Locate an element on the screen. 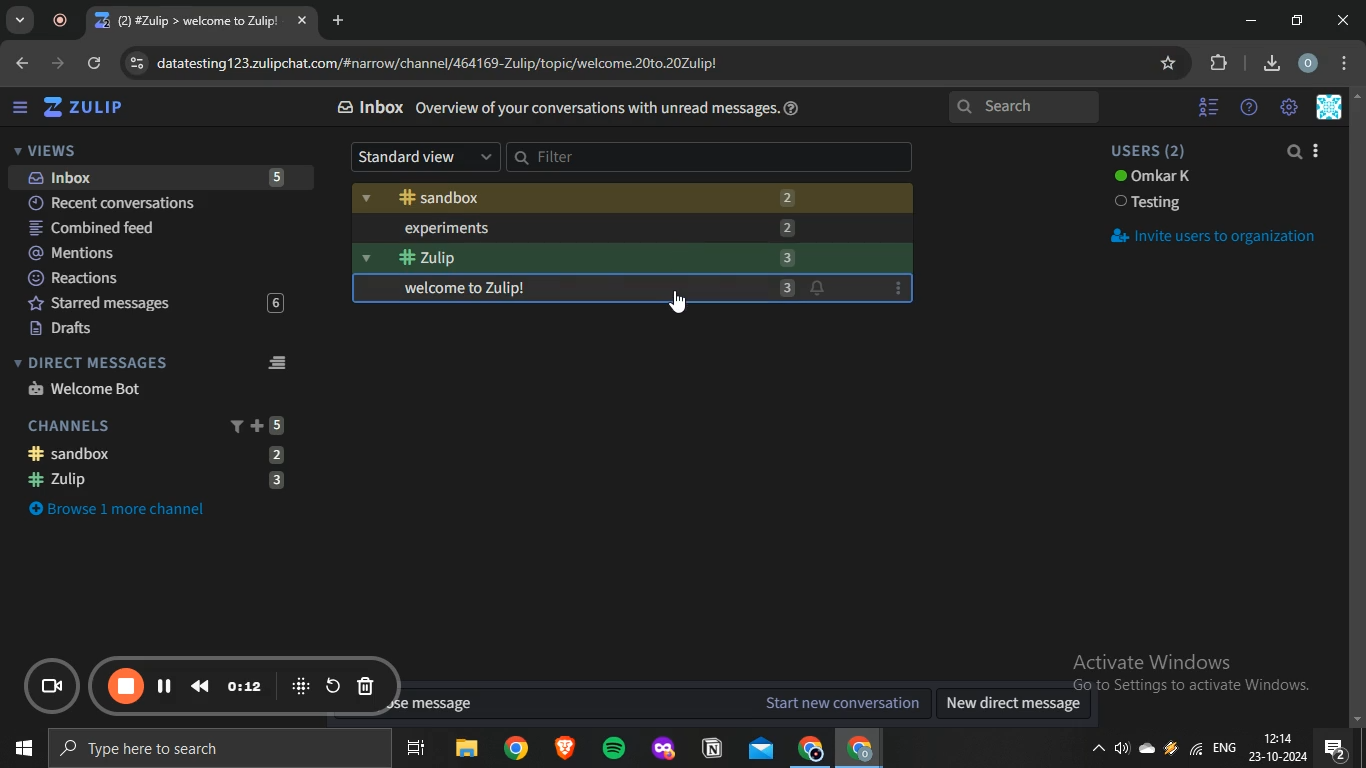 The image size is (1366, 768). task view is located at coordinates (416, 750).